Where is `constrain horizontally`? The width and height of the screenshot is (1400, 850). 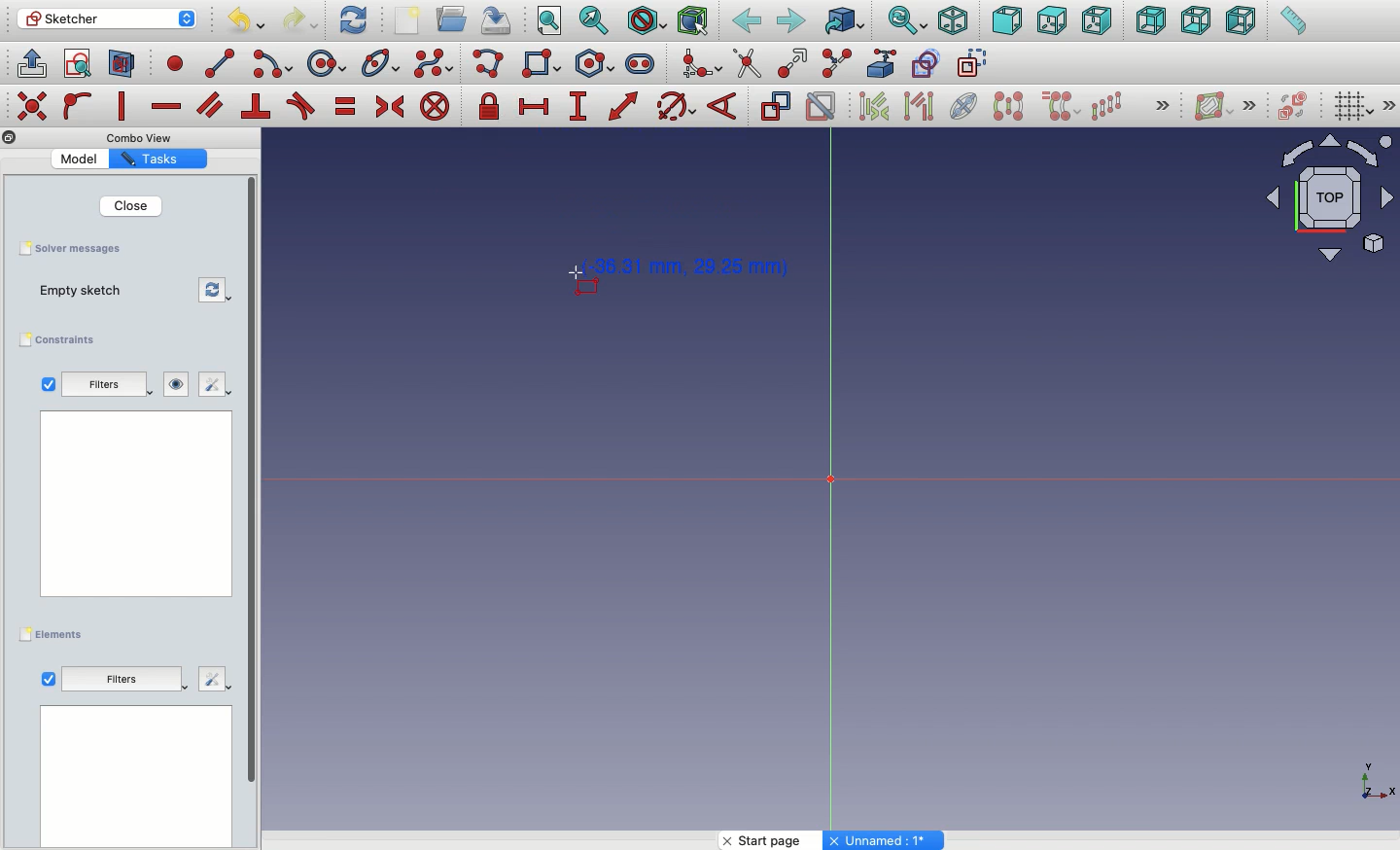
constrain horizontally is located at coordinates (168, 101).